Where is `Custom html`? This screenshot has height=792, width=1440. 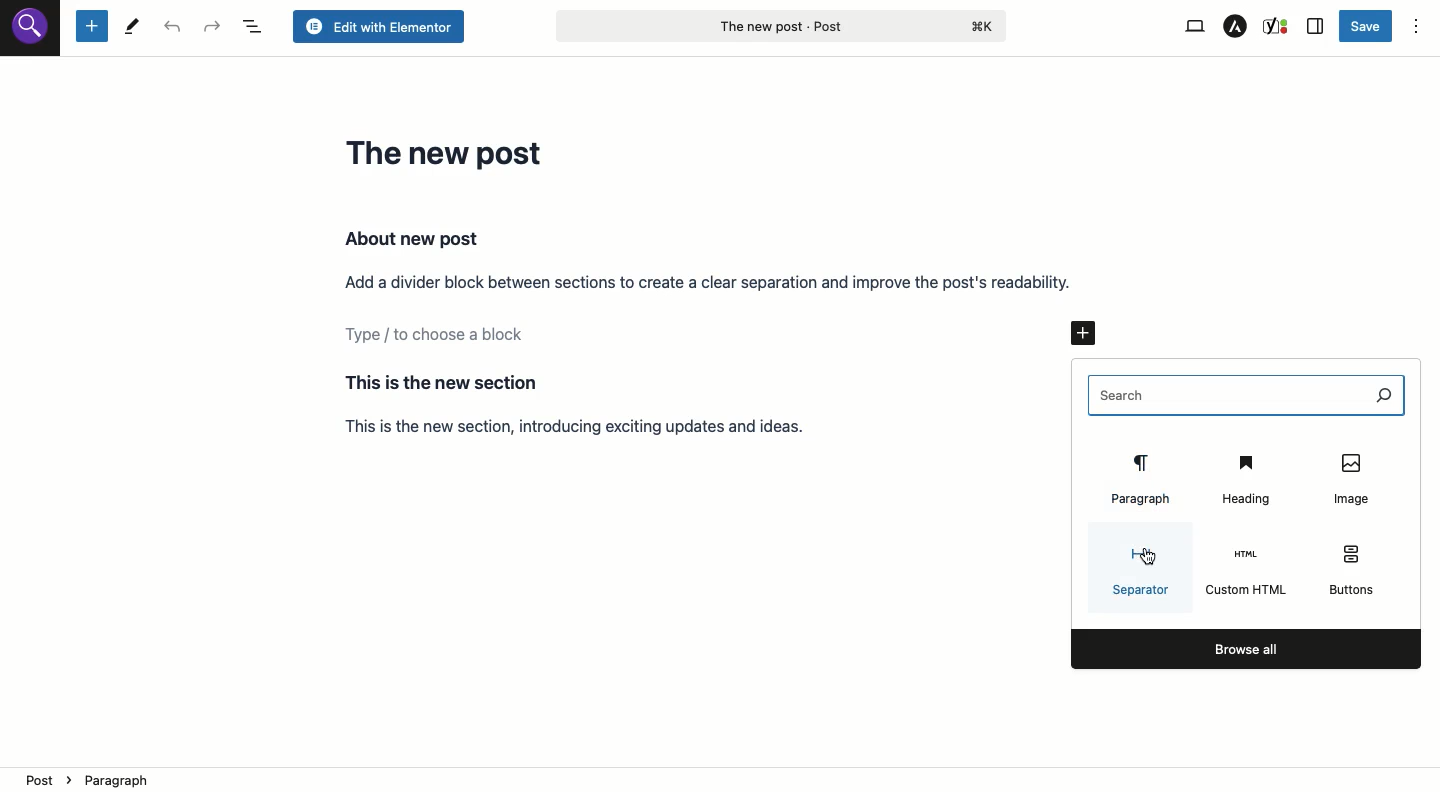 Custom html is located at coordinates (1246, 572).